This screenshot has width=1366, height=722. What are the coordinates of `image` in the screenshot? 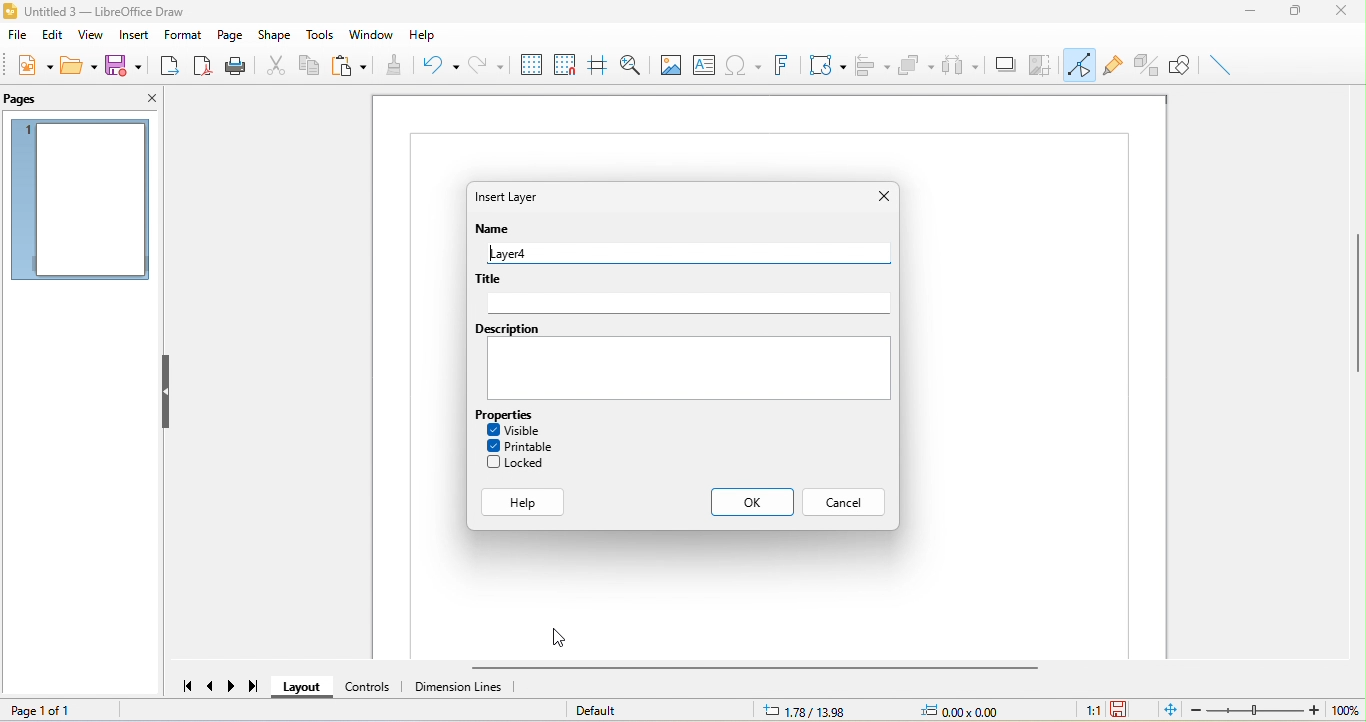 It's located at (670, 67).